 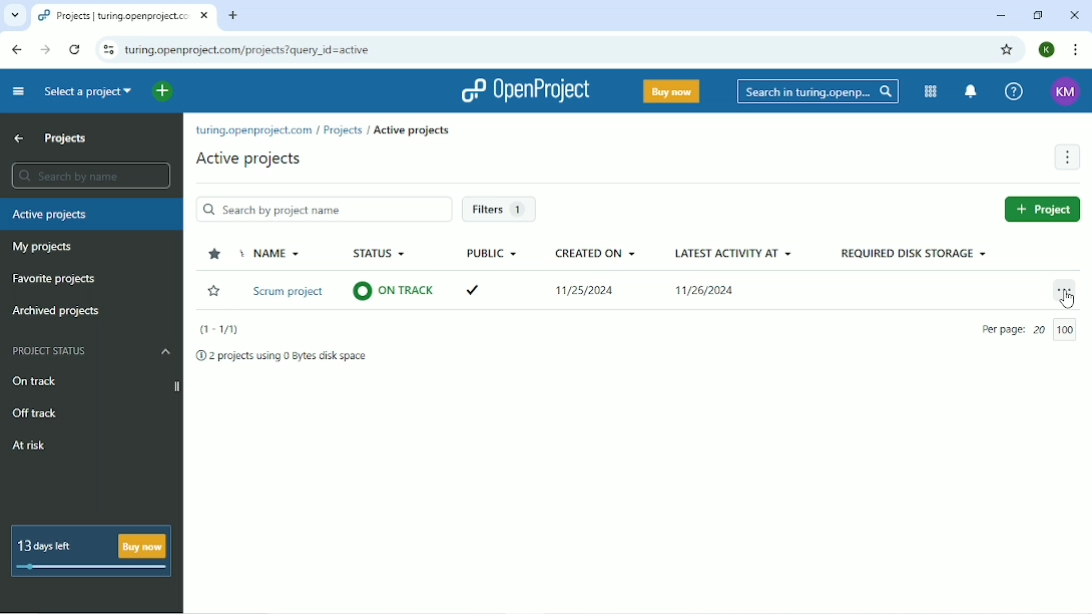 I want to click on Back, so click(x=18, y=49).